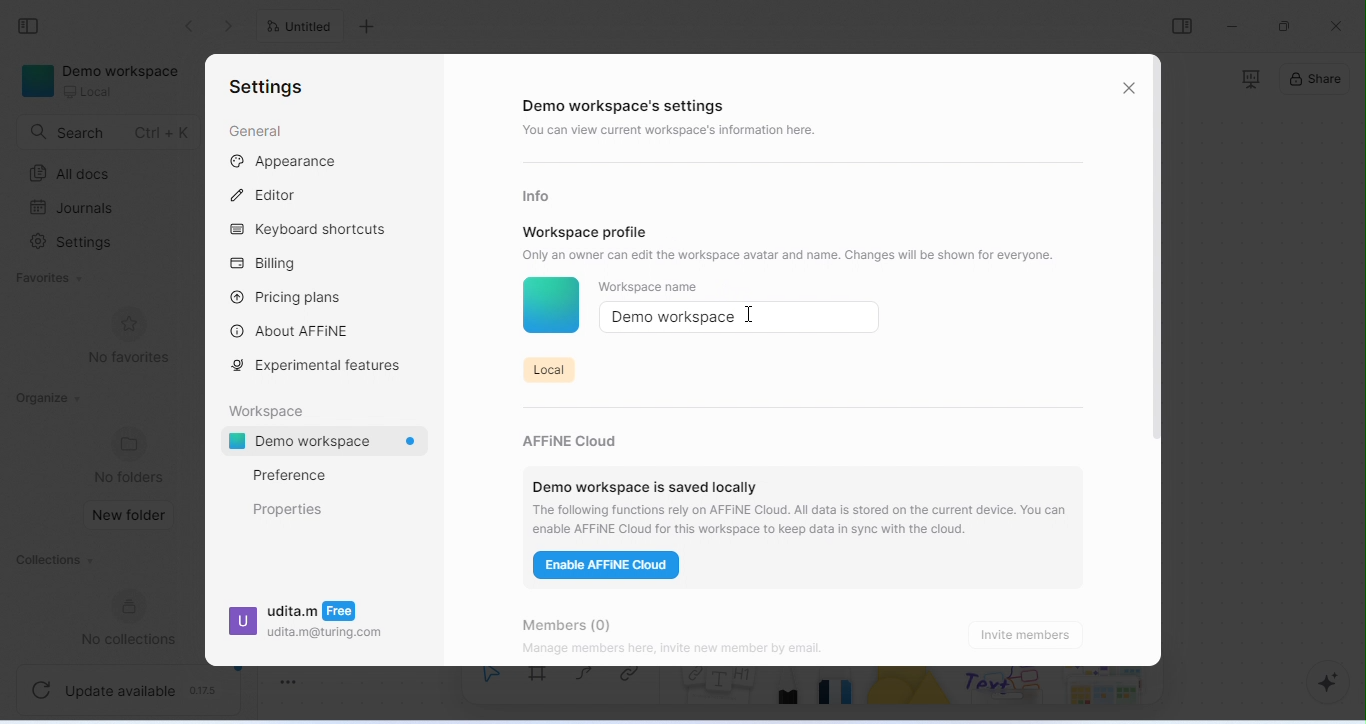 The width and height of the screenshot is (1366, 724). Describe the element at coordinates (131, 516) in the screenshot. I see `new folder` at that location.